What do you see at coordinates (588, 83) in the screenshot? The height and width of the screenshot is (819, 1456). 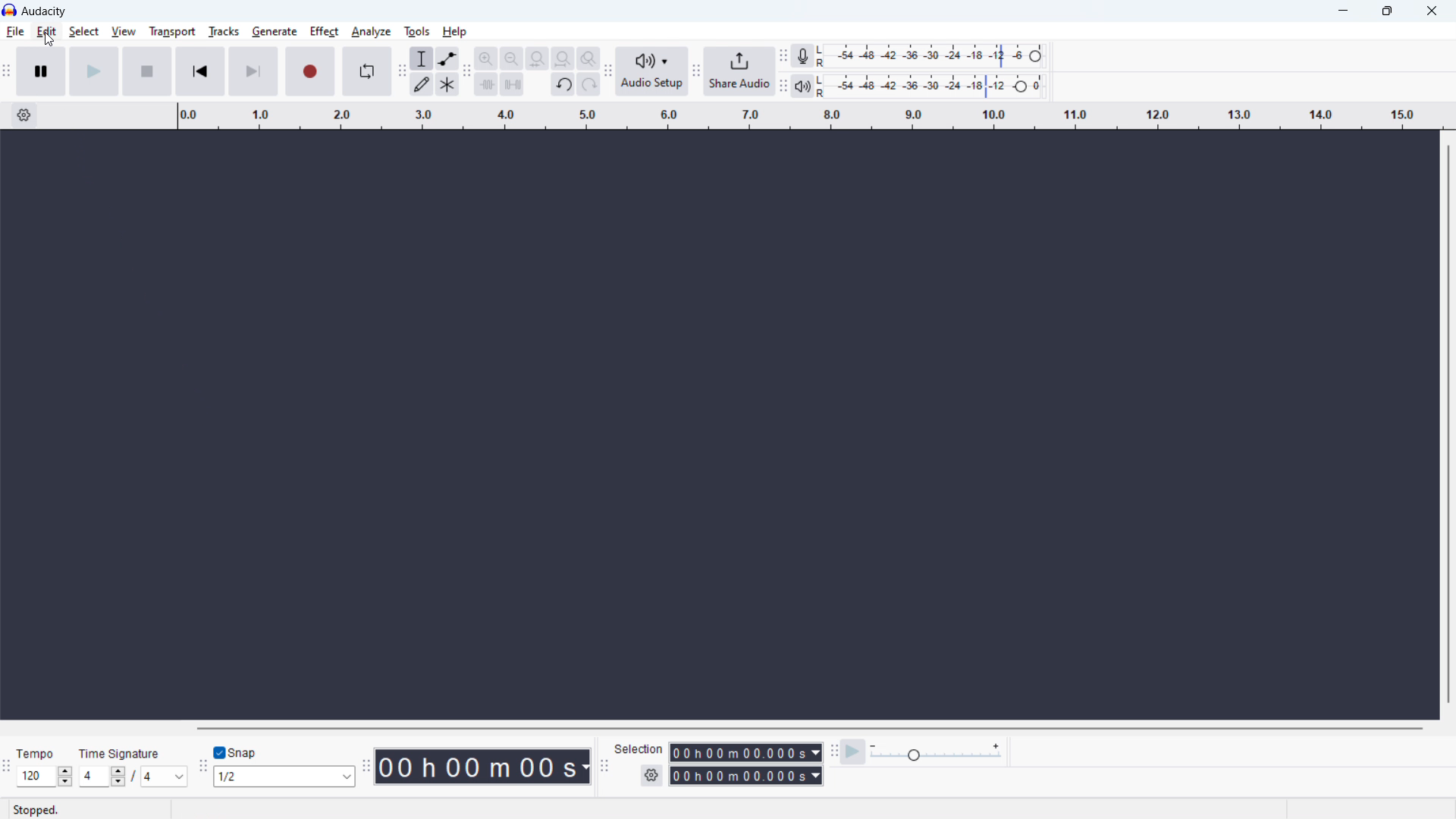 I see `redo` at bounding box center [588, 83].